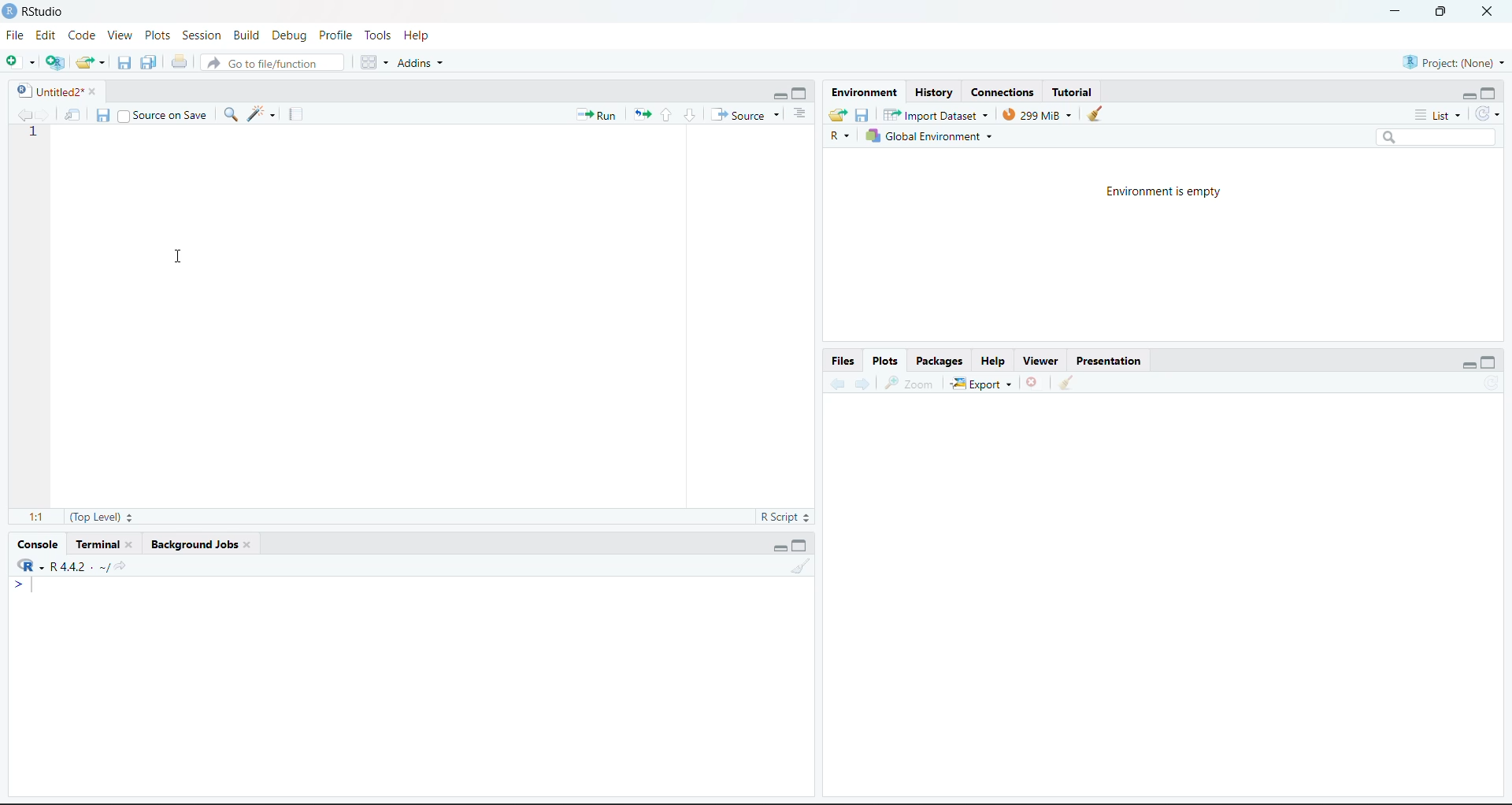 This screenshot has width=1512, height=805. What do you see at coordinates (1095, 113) in the screenshot?
I see `clear objects from the workspace` at bounding box center [1095, 113].